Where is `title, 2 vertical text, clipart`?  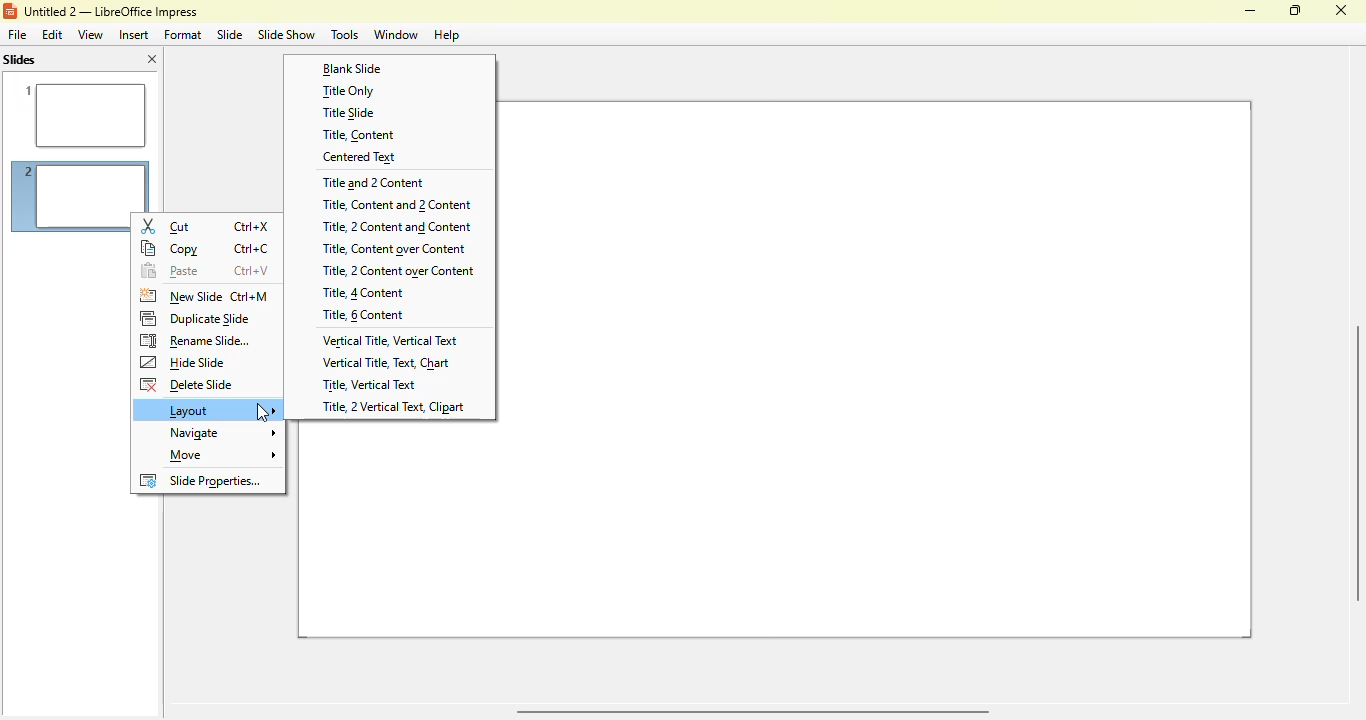
title, 2 vertical text, clipart is located at coordinates (394, 408).